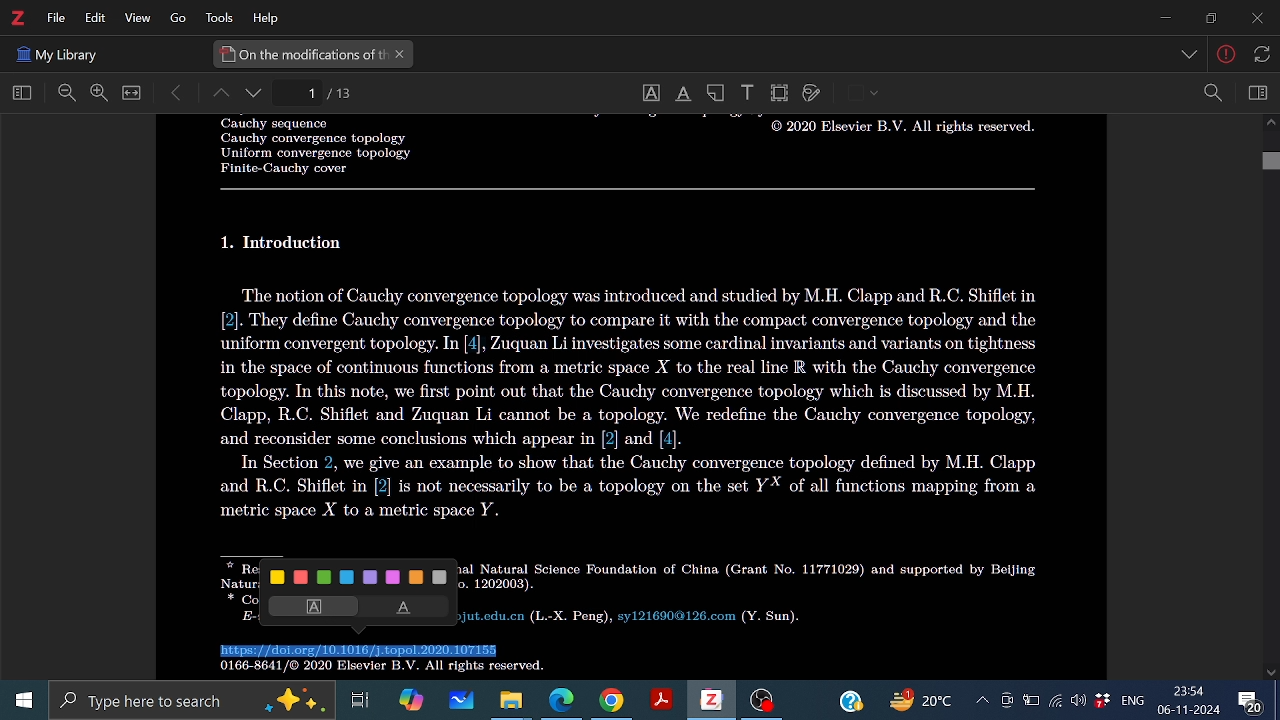 The image size is (1280, 720). Describe the element at coordinates (342, 93) in the screenshot. I see `Current page` at that location.